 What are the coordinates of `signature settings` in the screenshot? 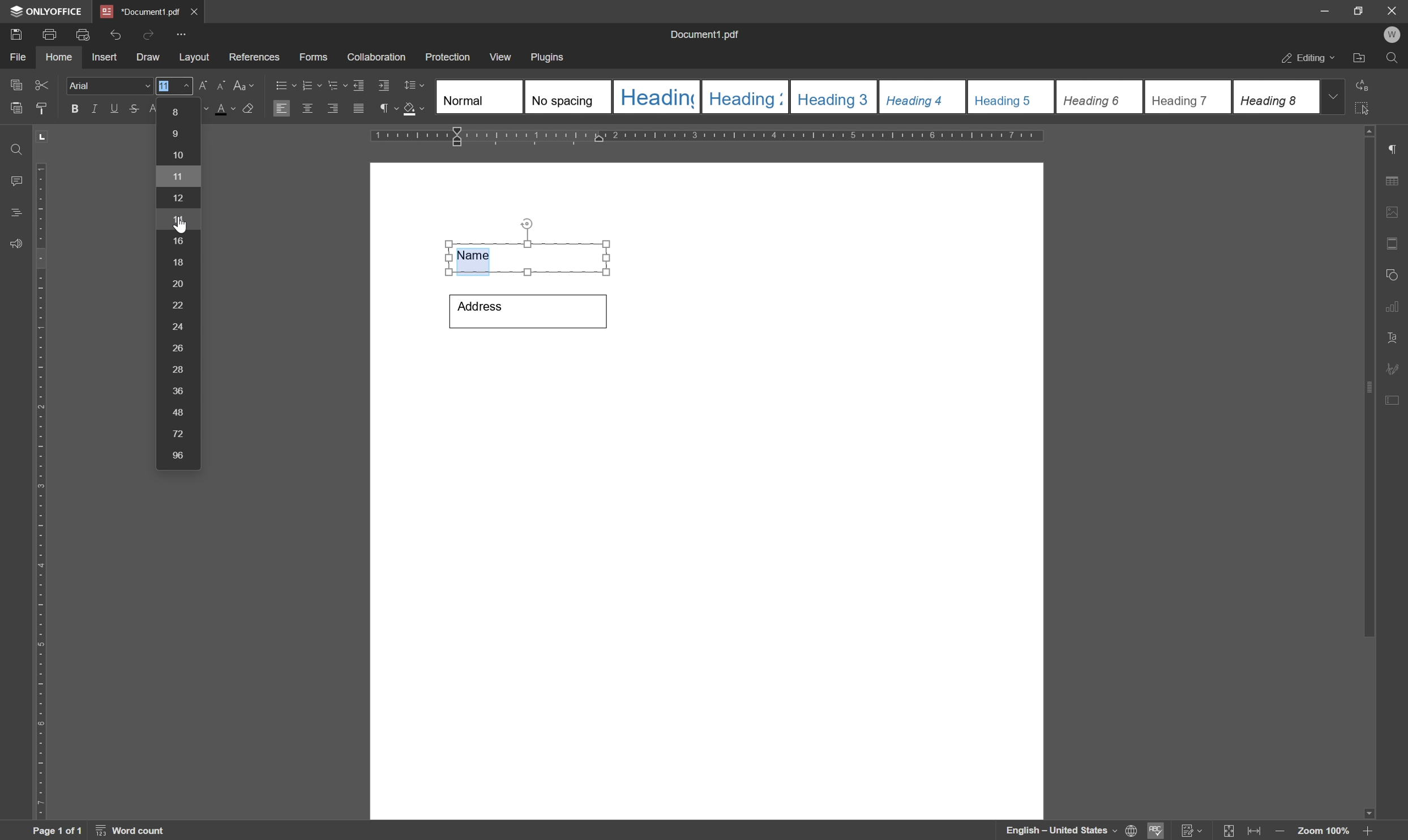 It's located at (1396, 368).